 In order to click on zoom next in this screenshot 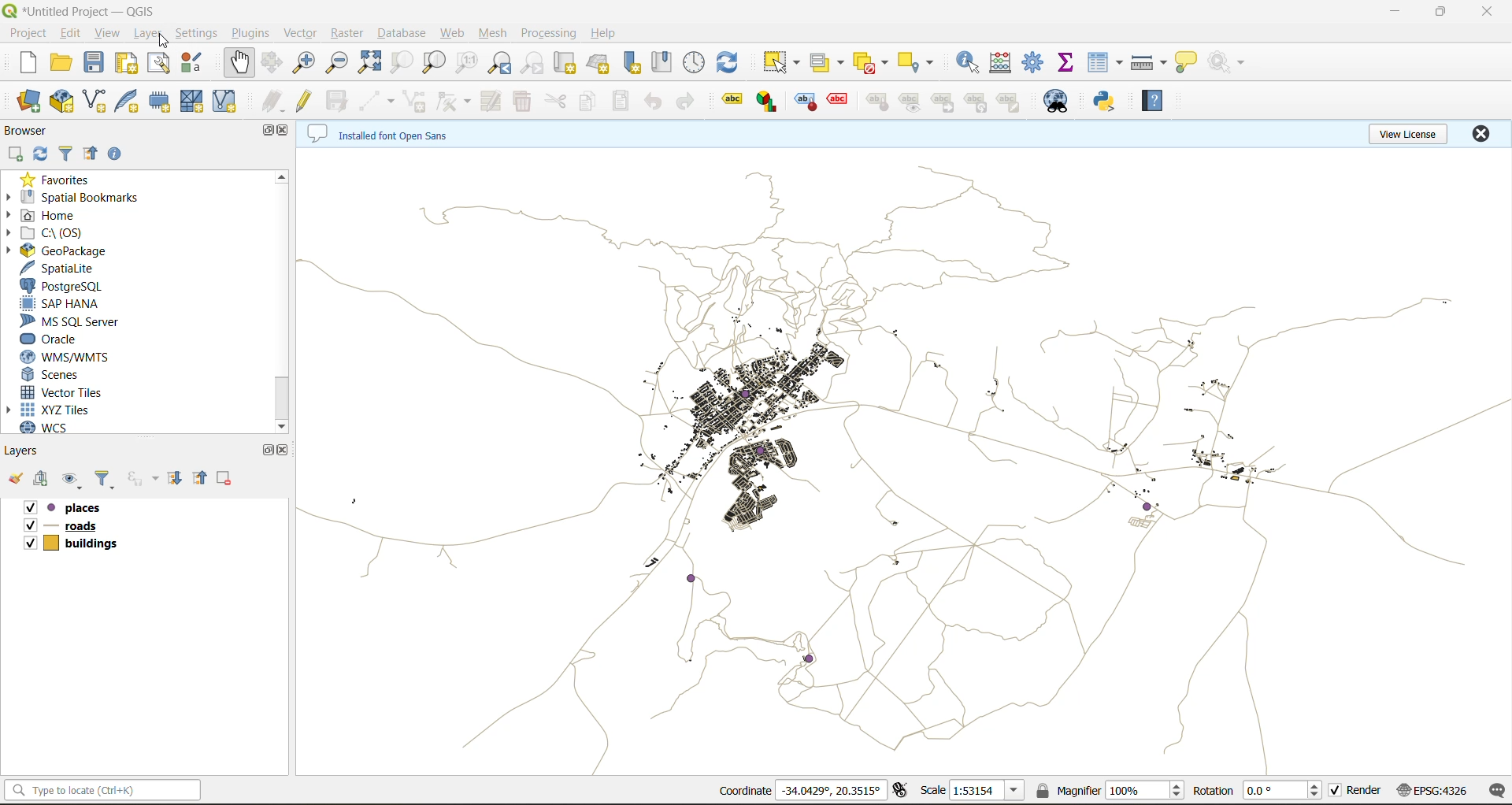, I will do `click(534, 62)`.